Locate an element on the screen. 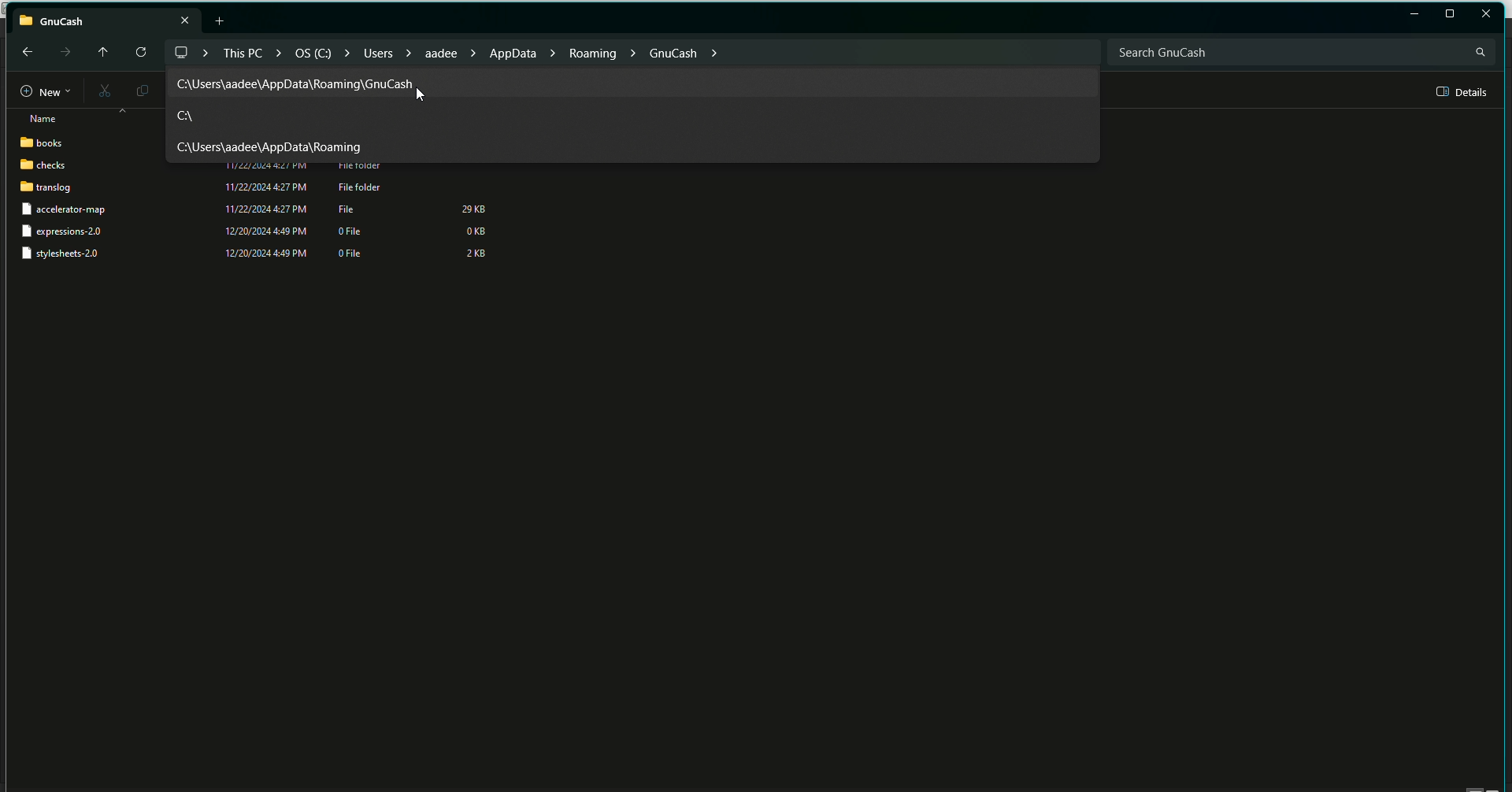  Name is located at coordinates (38, 119).